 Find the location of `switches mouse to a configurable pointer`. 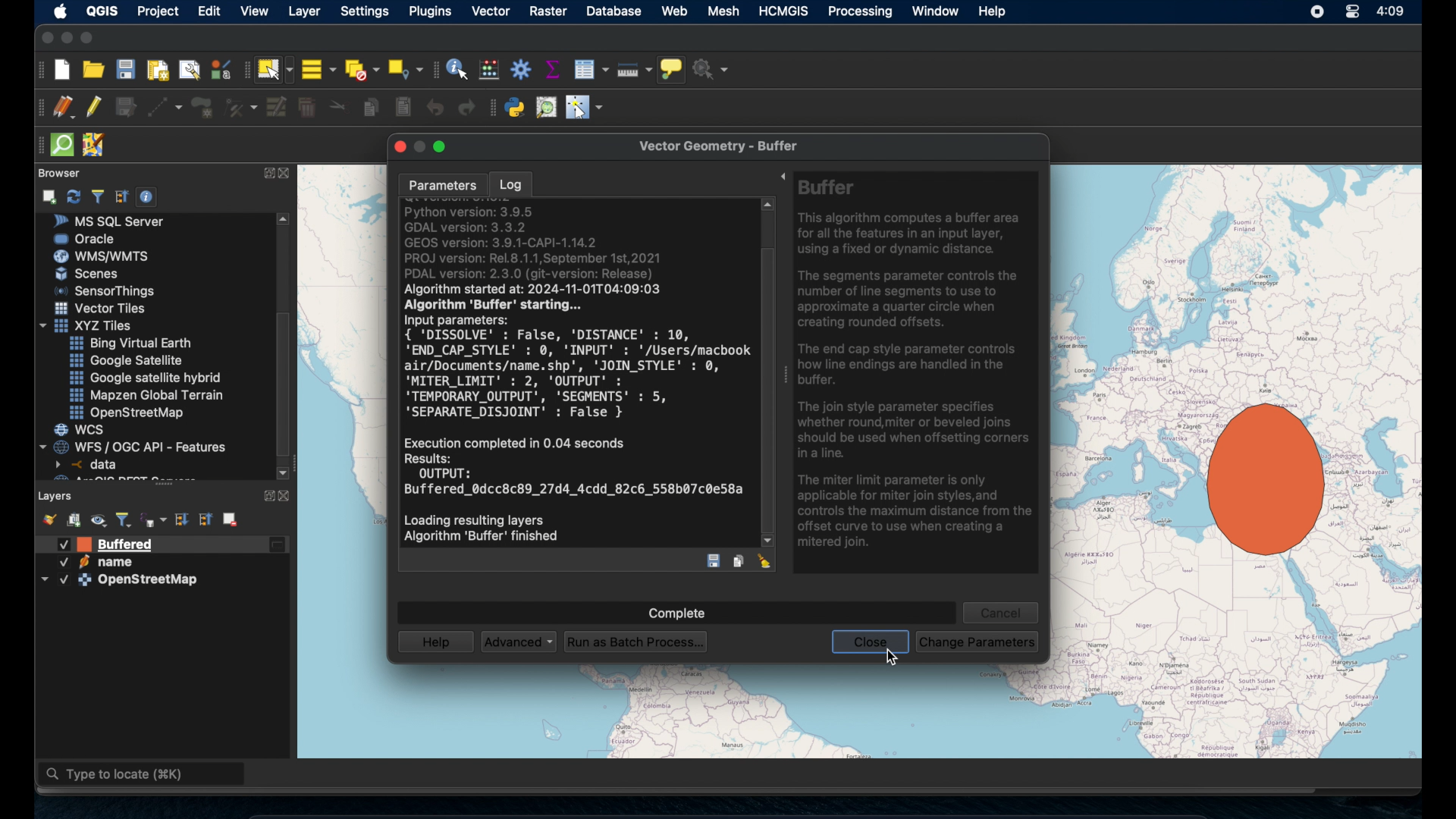

switches mouse to a configurable pointer is located at coordinates (584, 108).